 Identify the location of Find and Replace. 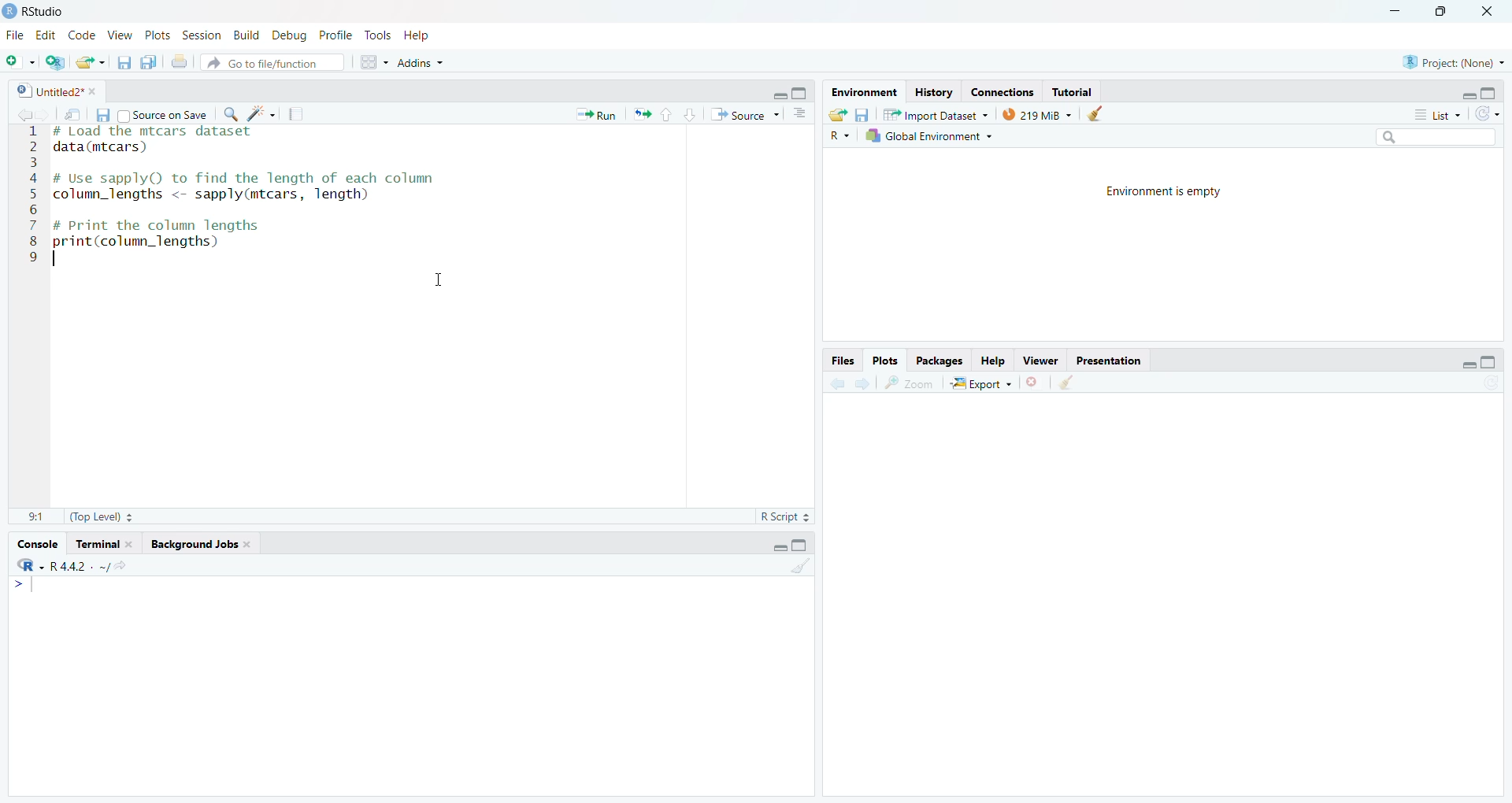
(231, 114).